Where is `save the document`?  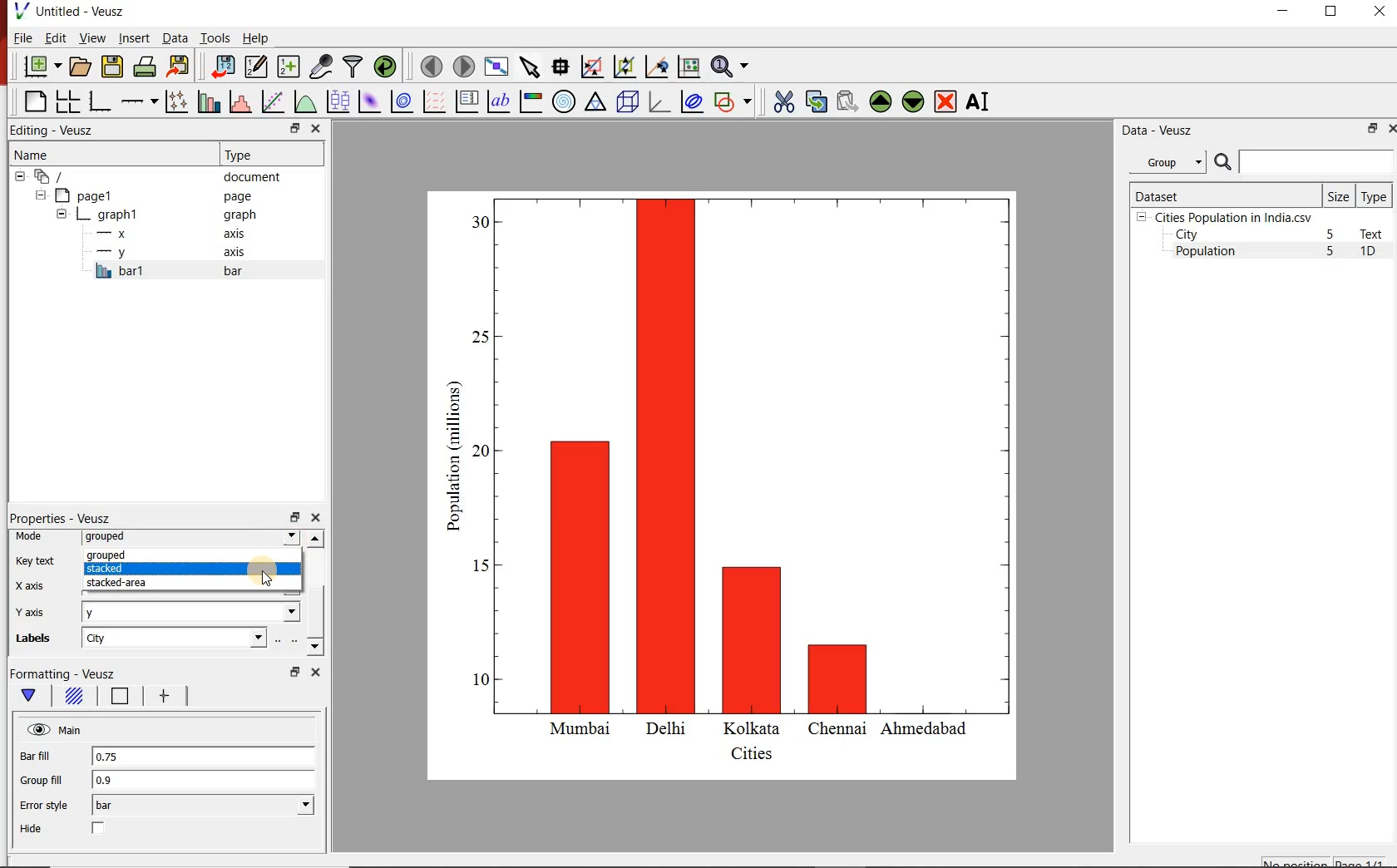
save the document is located at coordinates (112, 65).